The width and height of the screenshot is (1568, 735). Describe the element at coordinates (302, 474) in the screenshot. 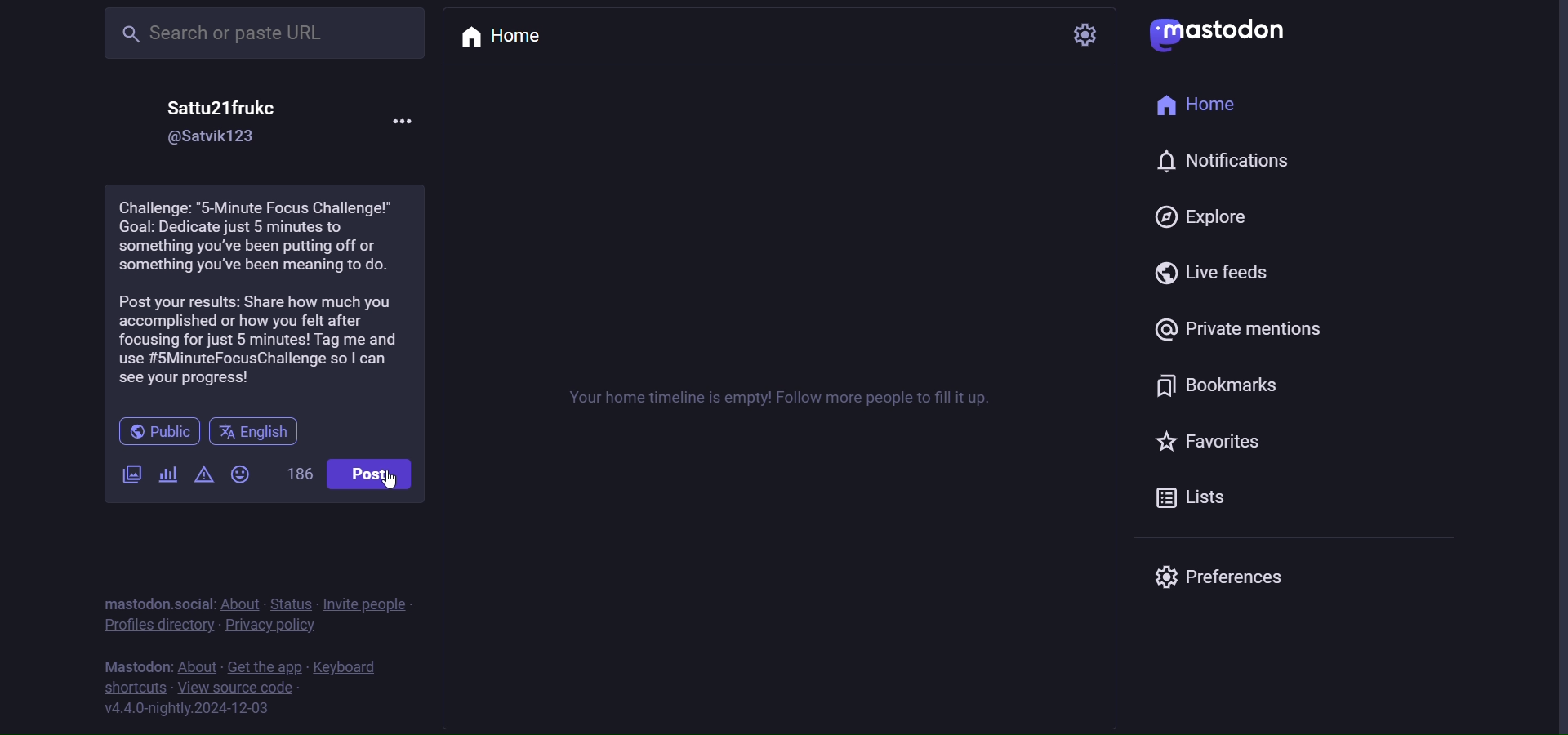

I see `word limit` at that location.